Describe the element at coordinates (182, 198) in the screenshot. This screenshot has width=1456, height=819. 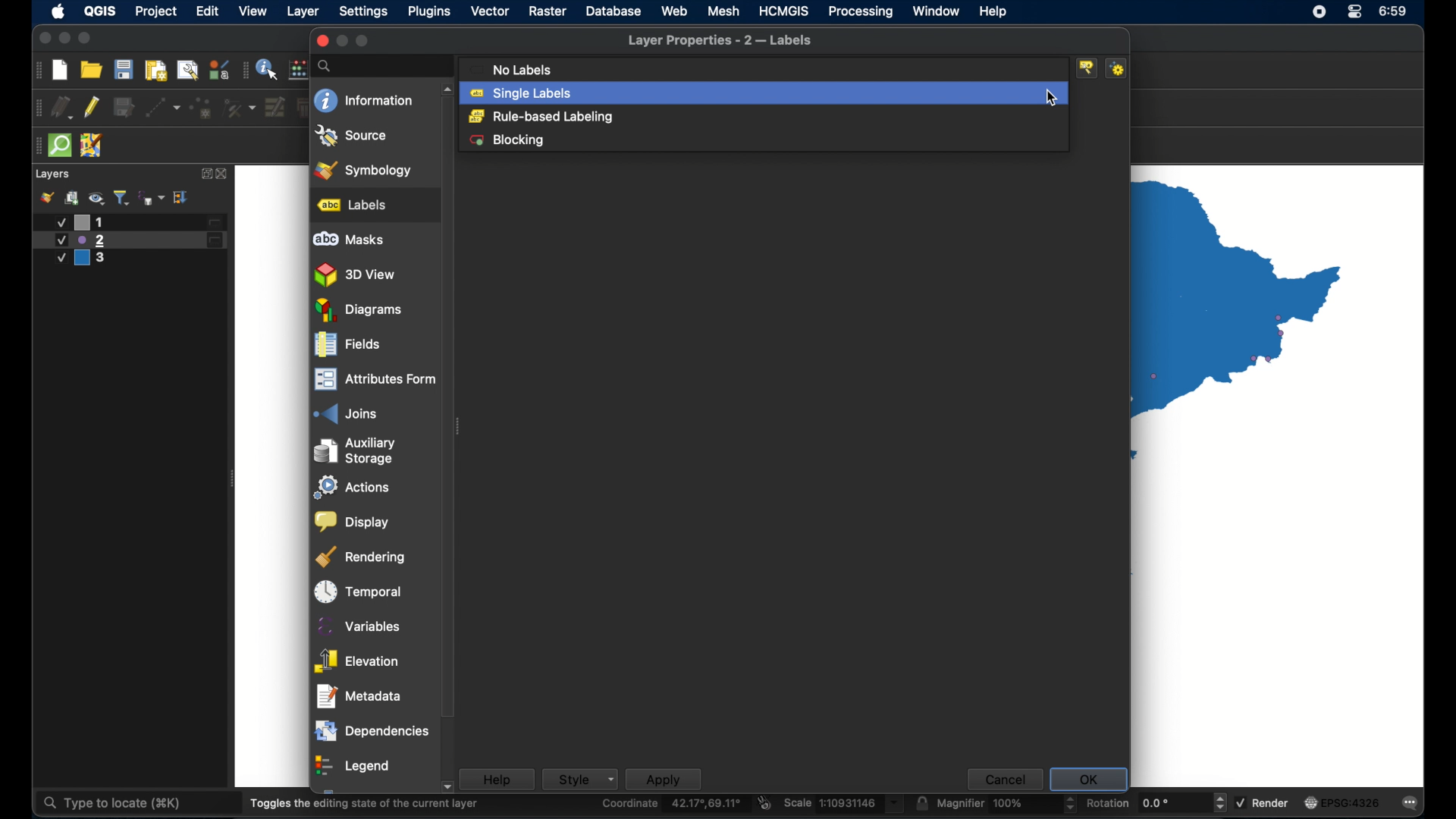
I see `expand` at that location.